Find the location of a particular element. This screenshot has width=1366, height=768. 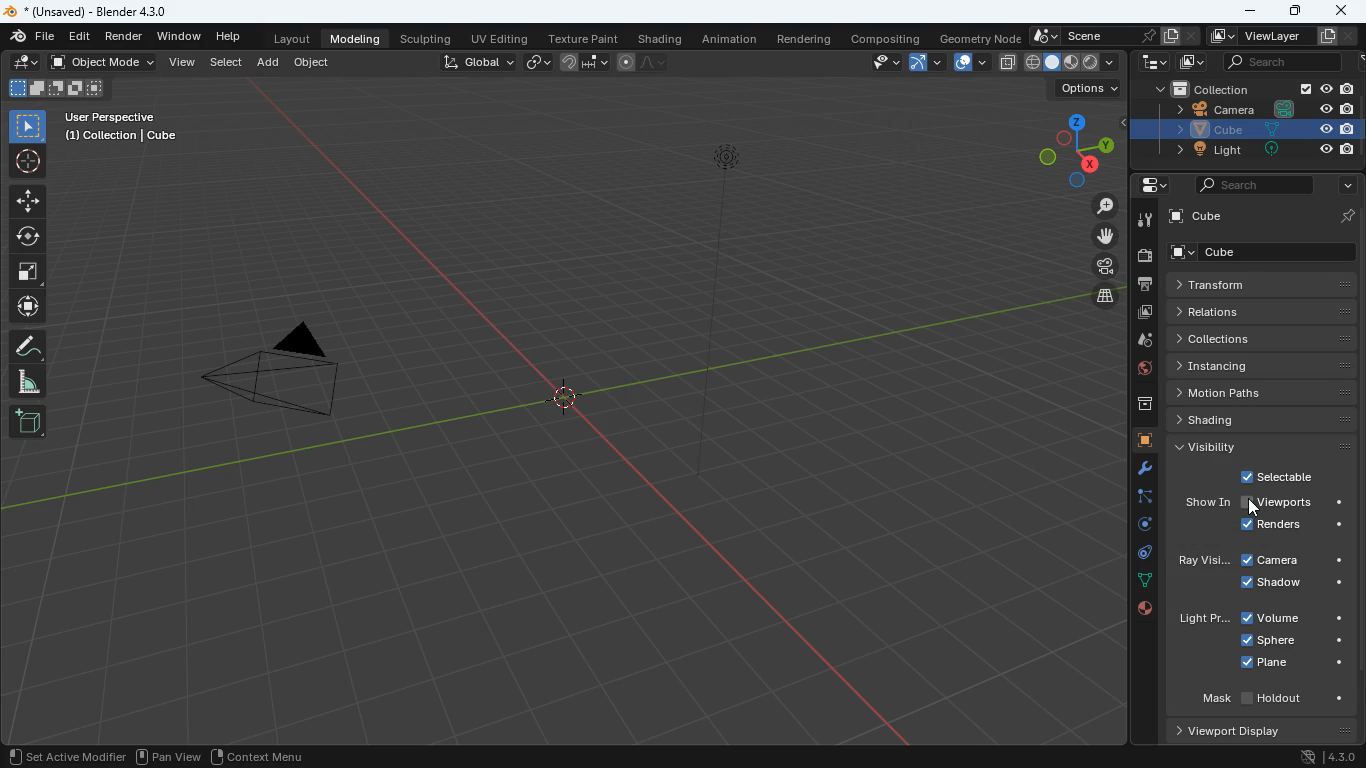

shadow is located at coordinates (1291, 585).